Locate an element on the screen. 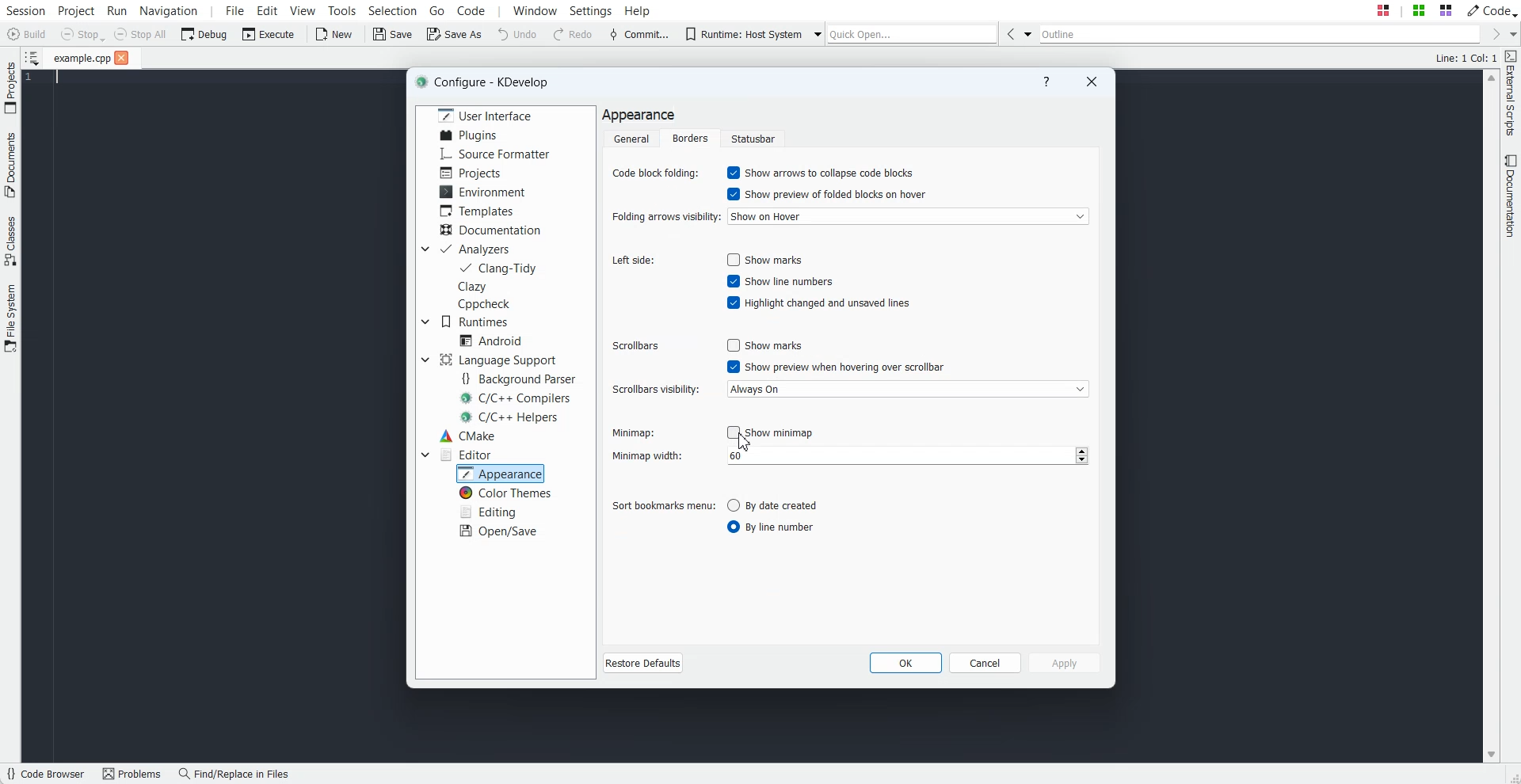 The image size is (1521, 784). Text is located at coordinates (1466, 57).